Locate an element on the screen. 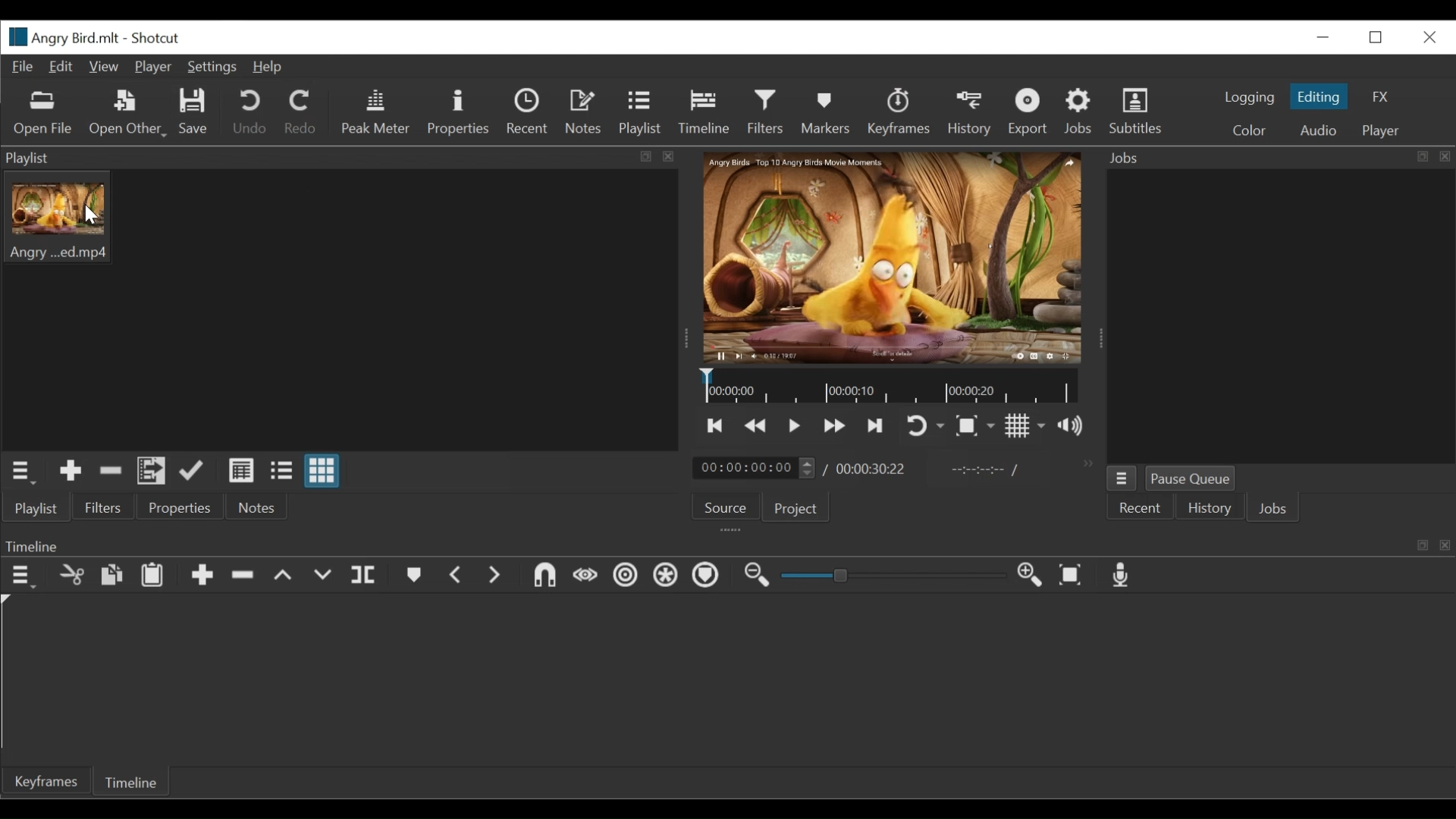 The width and height of the screenshot is (1456, 819). zoom timeline out is located at coordinates (759, 576).